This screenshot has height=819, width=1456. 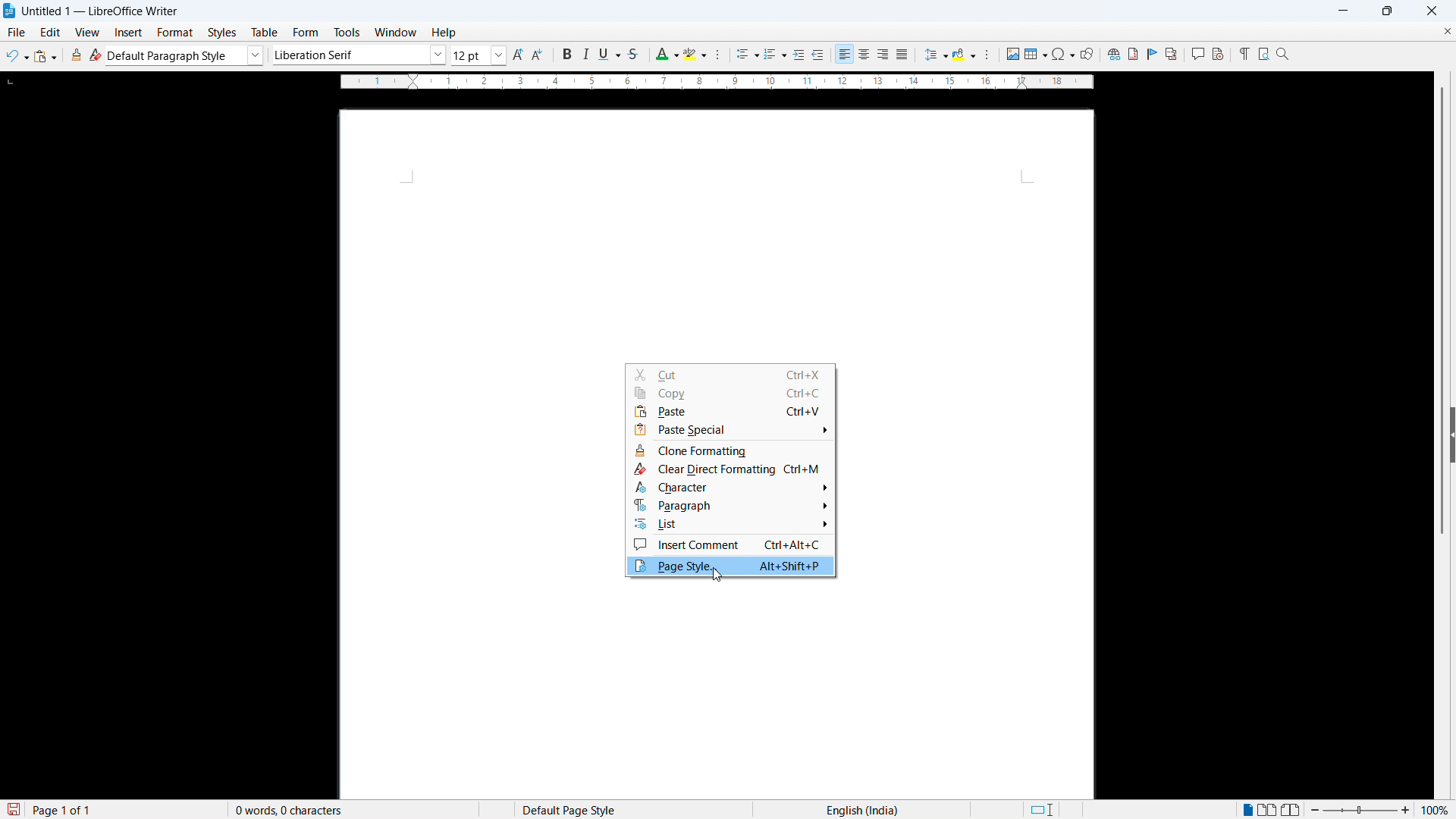 I want to click on Undo , so click(x=17, y=56).